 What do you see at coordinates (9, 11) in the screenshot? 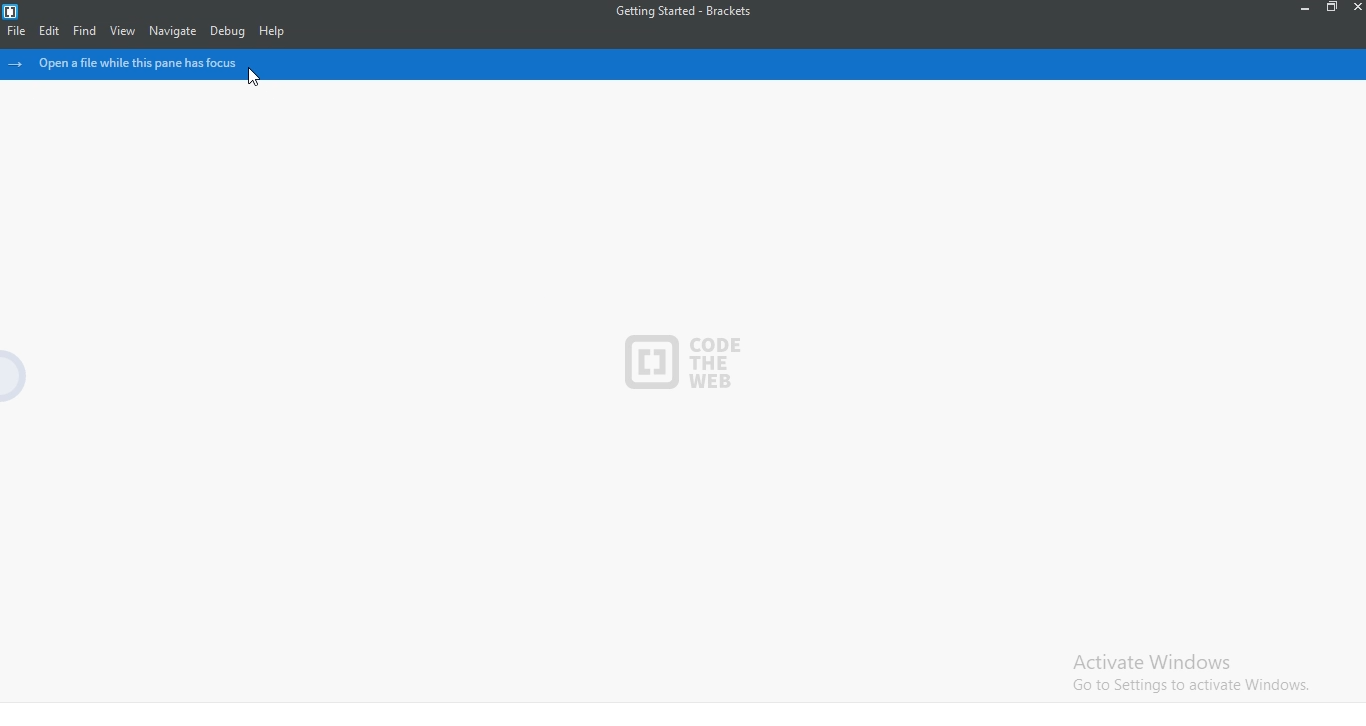
I see `Logo` at bounding box center [9, 11].